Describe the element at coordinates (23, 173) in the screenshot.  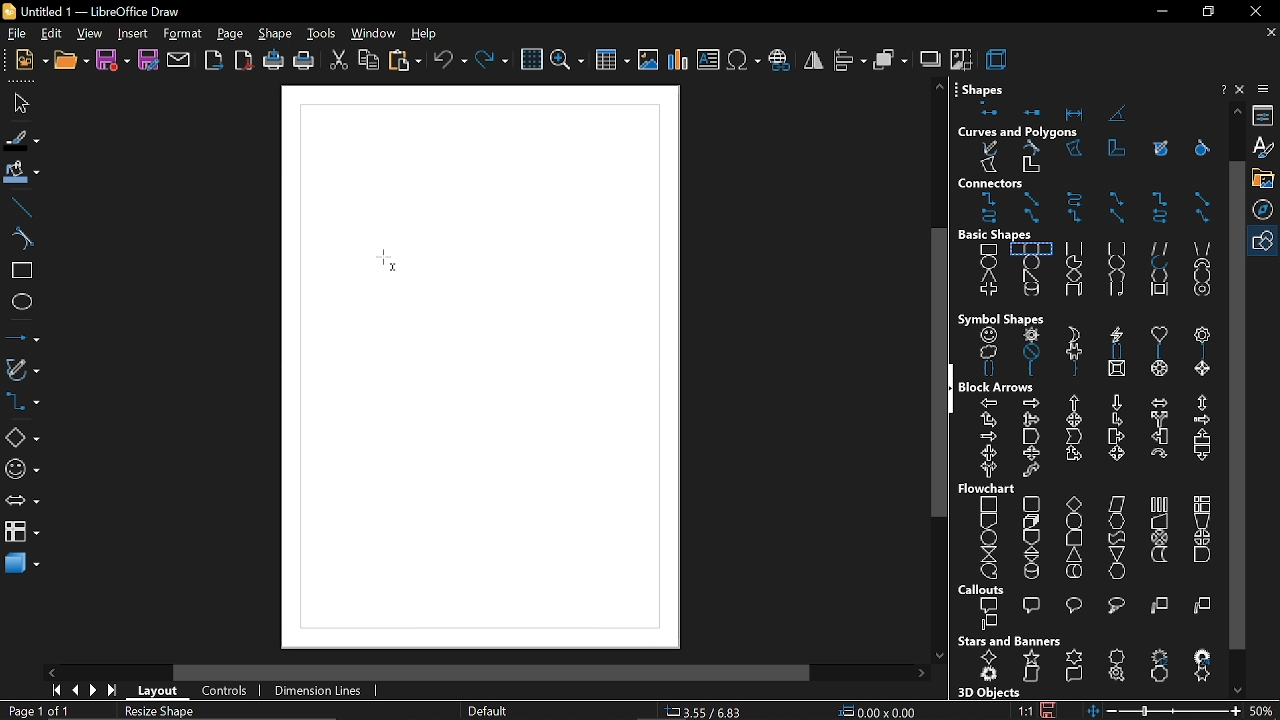
I see `fill color` at that location.